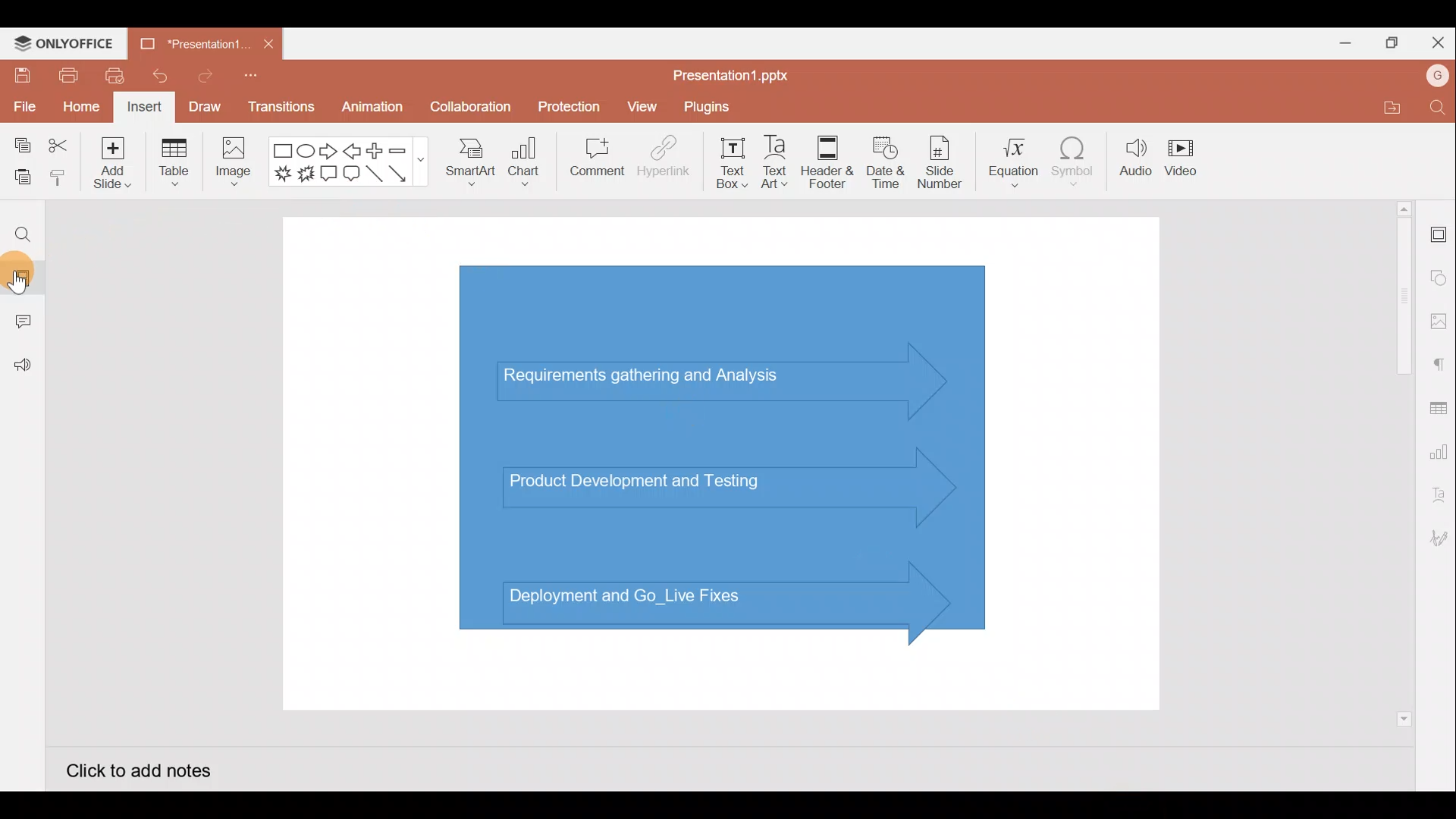 Image resolution: width=1456 pixels, height=819 pixels. I want to click on Explosion 1, so click(281, 172).